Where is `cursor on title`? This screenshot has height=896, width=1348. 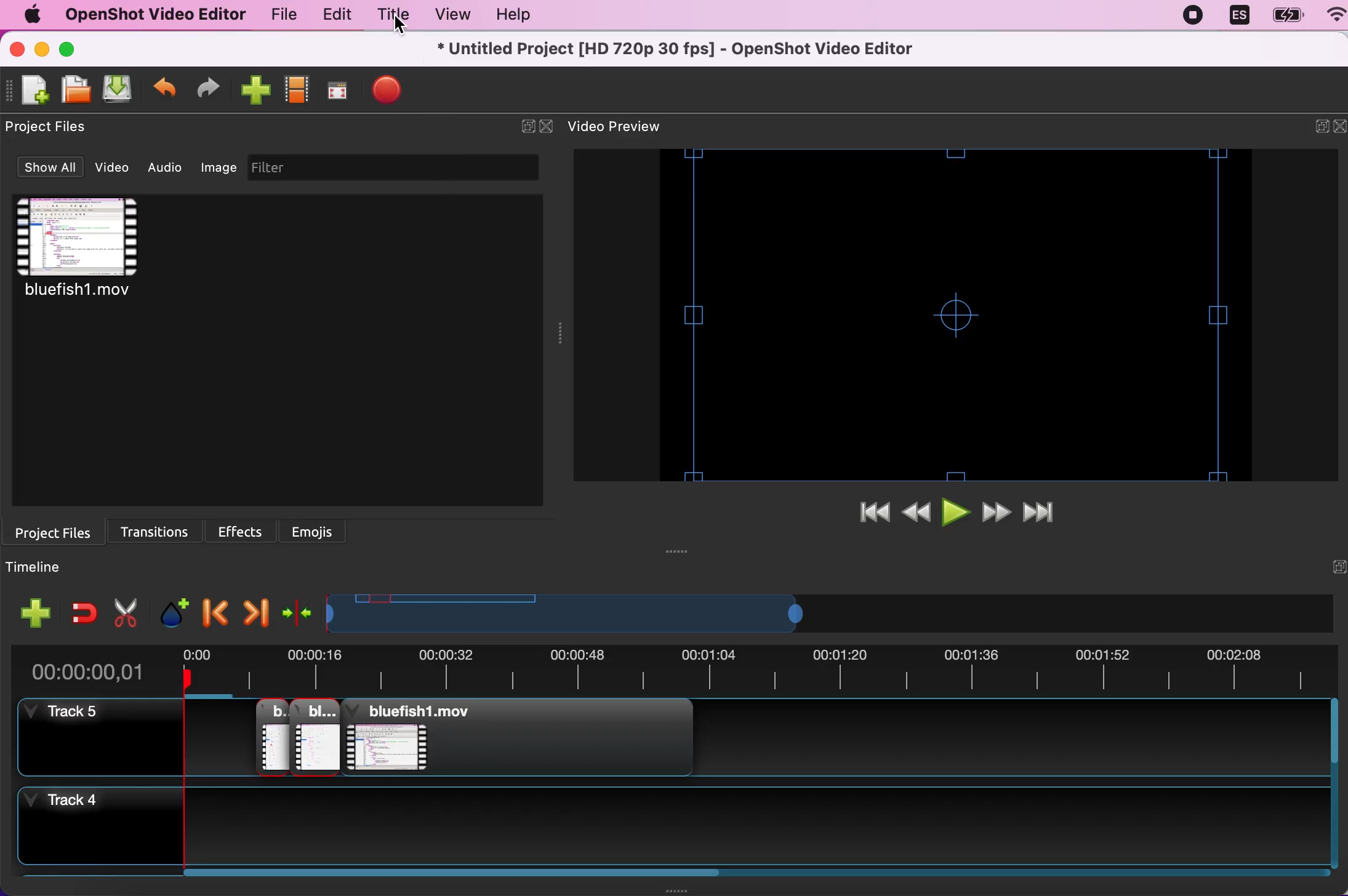 cursor on title is located at coordinates (395, 26).